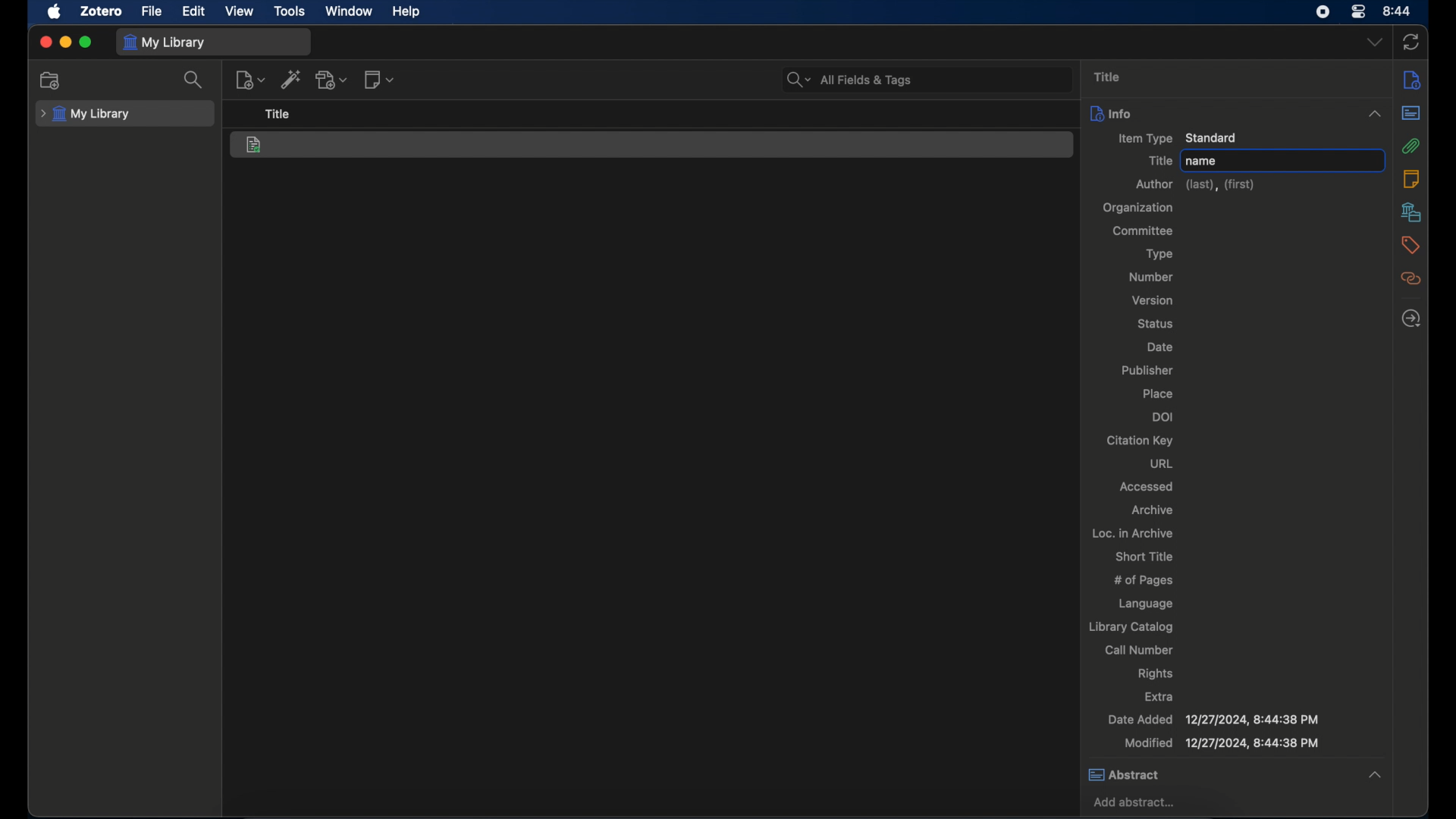 The width and height of the screenshot is (1456, 819). I want to click on type, so click(1156, 253).